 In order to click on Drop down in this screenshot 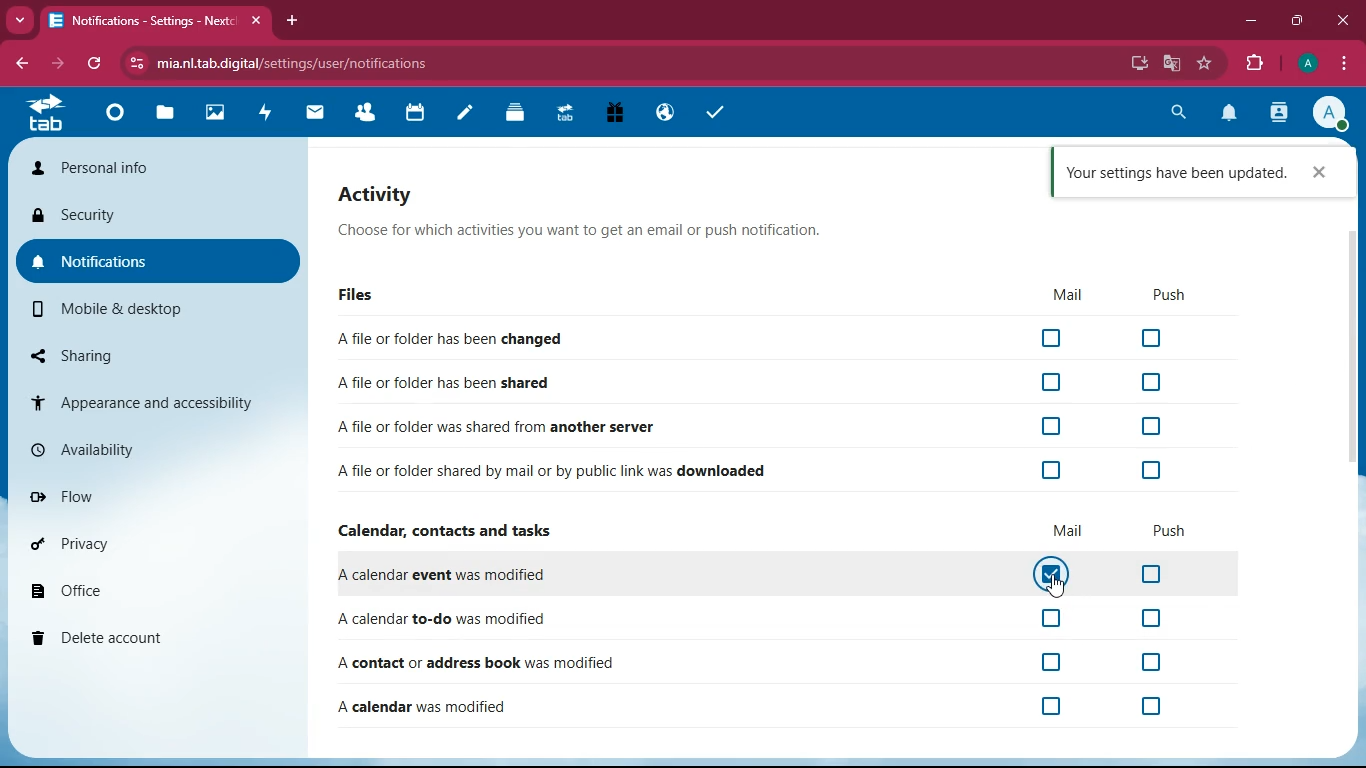, I will do `click(21, 21)`.